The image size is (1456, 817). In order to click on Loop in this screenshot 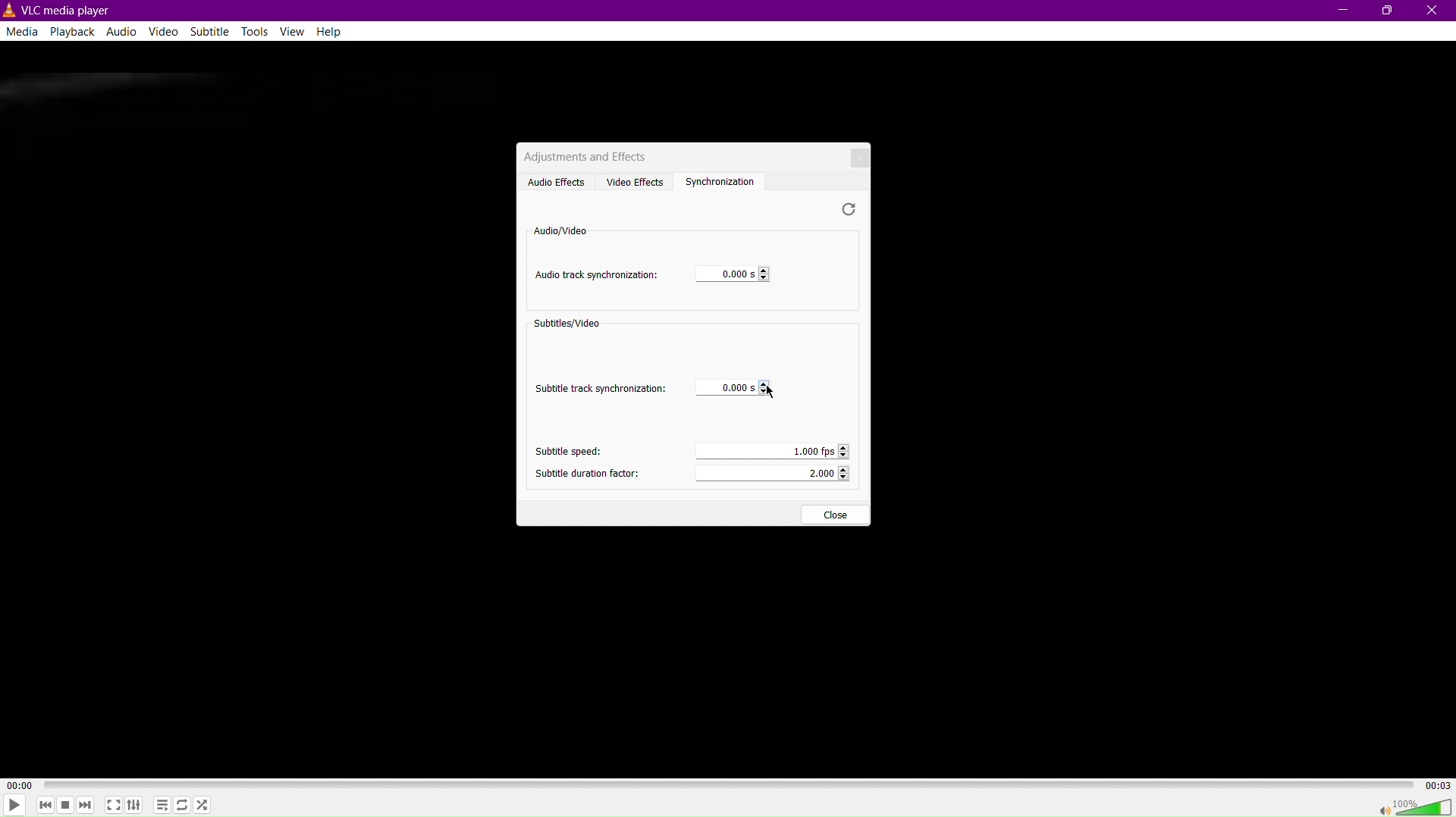, I will do `click(184, 804)`.